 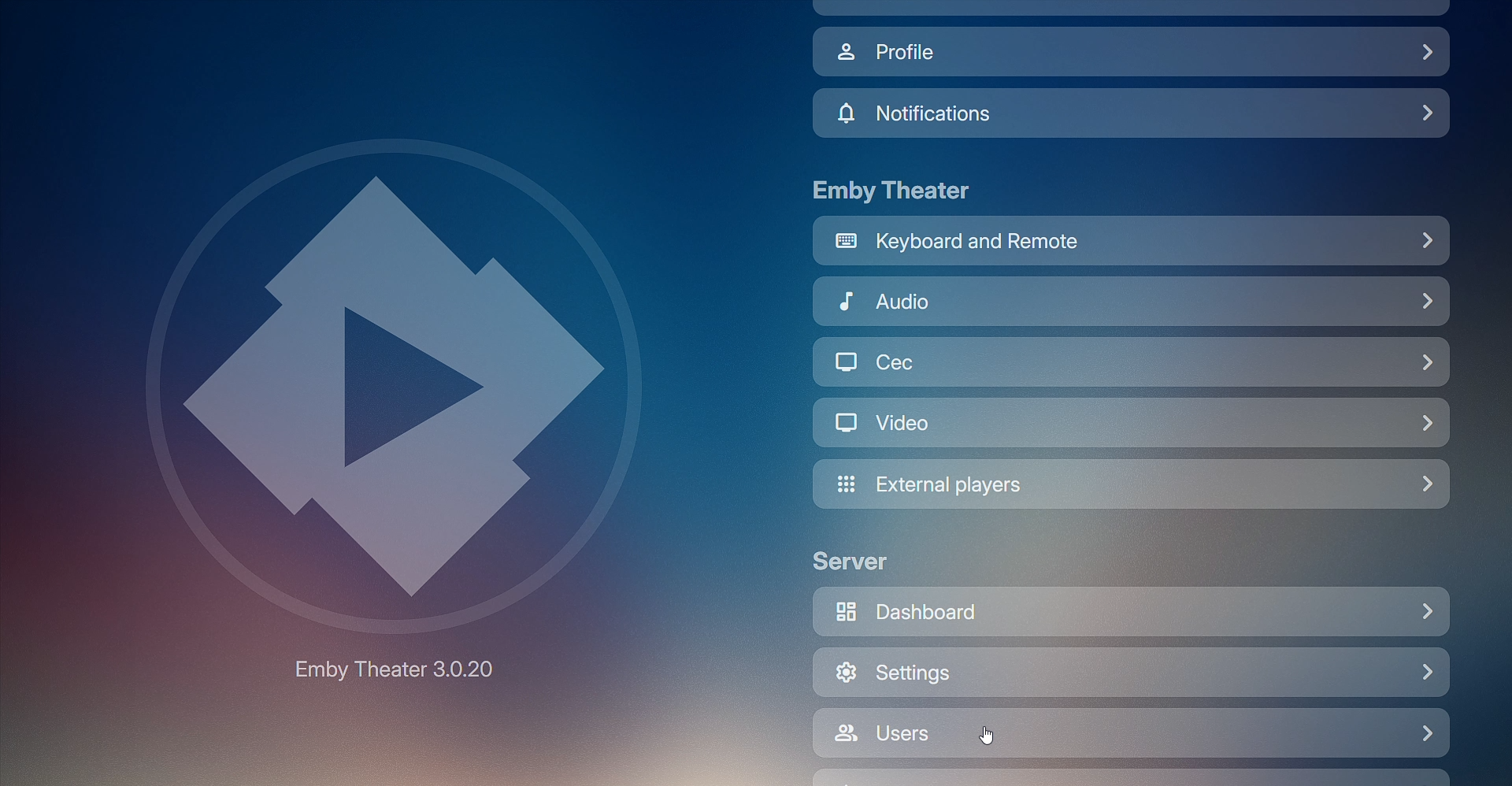 What do you see at coordinates (1132, 423) in the screenshot?
I see `Video` at bounding box center [1132, 423].